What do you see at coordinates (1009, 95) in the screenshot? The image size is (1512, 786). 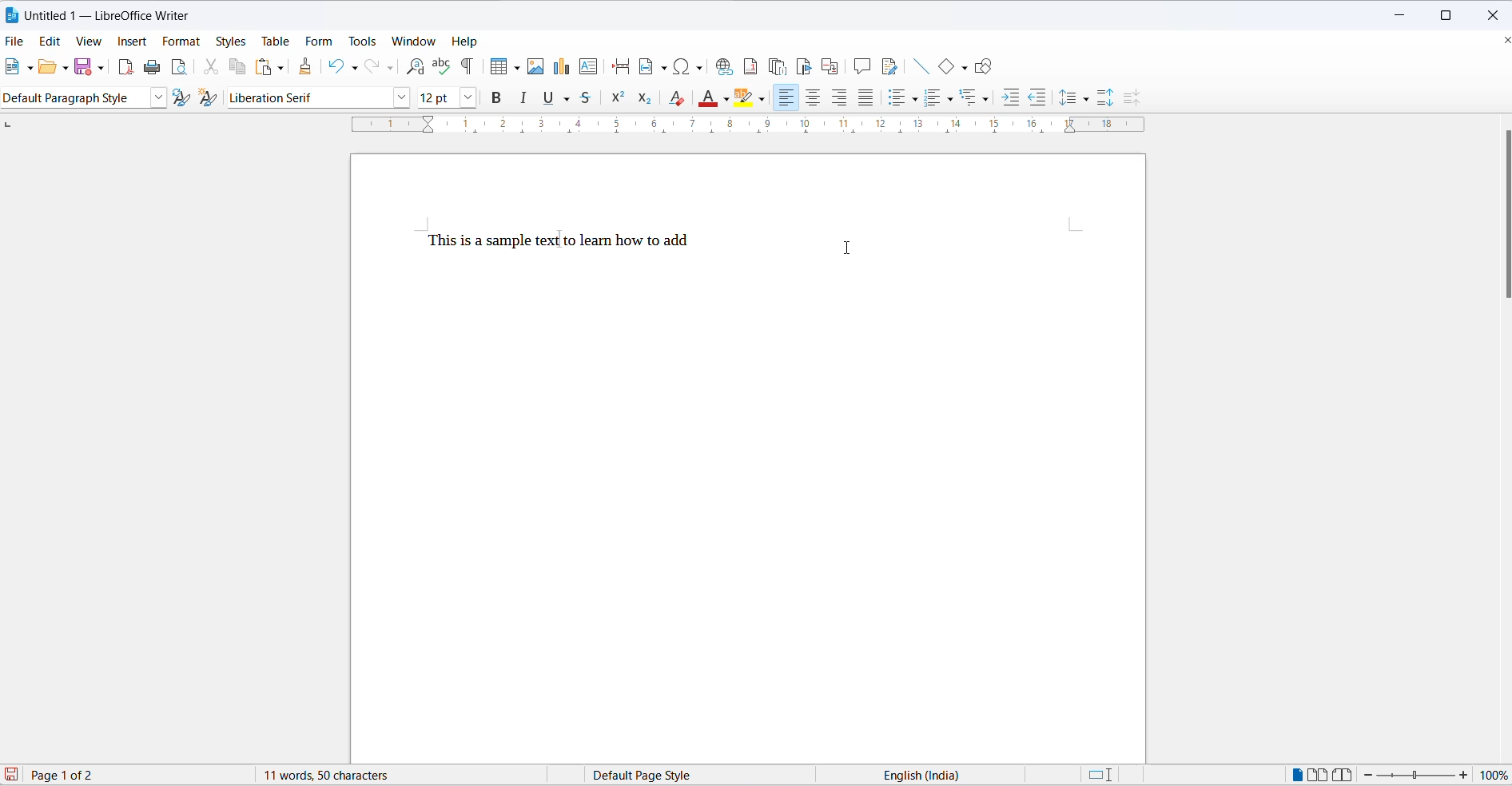 I see `increase indent` at bounding box center [1009, 95].